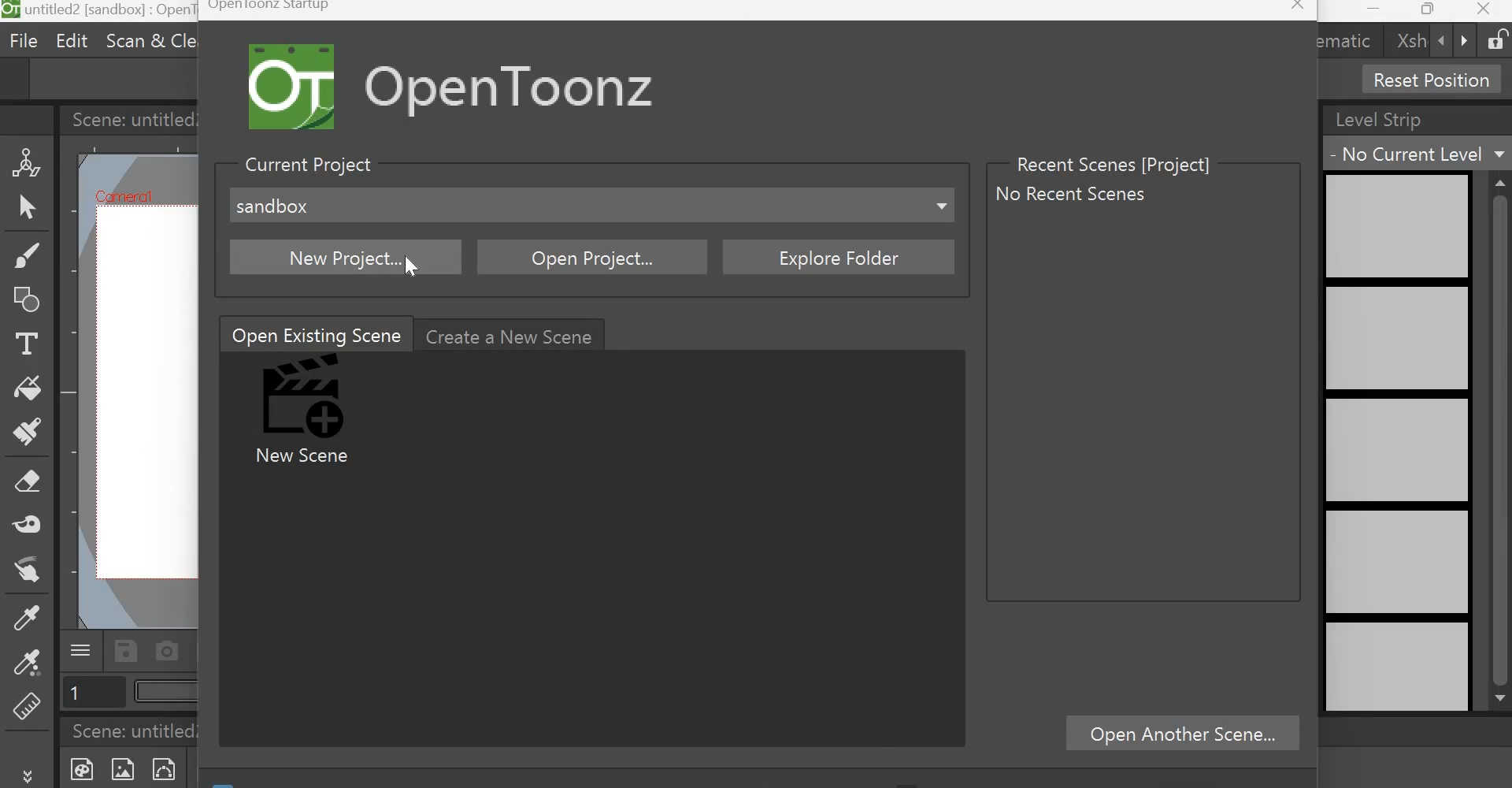  Describe the element at coordinates (24, 623) in the screenshot. I see `Style Picker tool` at that location.